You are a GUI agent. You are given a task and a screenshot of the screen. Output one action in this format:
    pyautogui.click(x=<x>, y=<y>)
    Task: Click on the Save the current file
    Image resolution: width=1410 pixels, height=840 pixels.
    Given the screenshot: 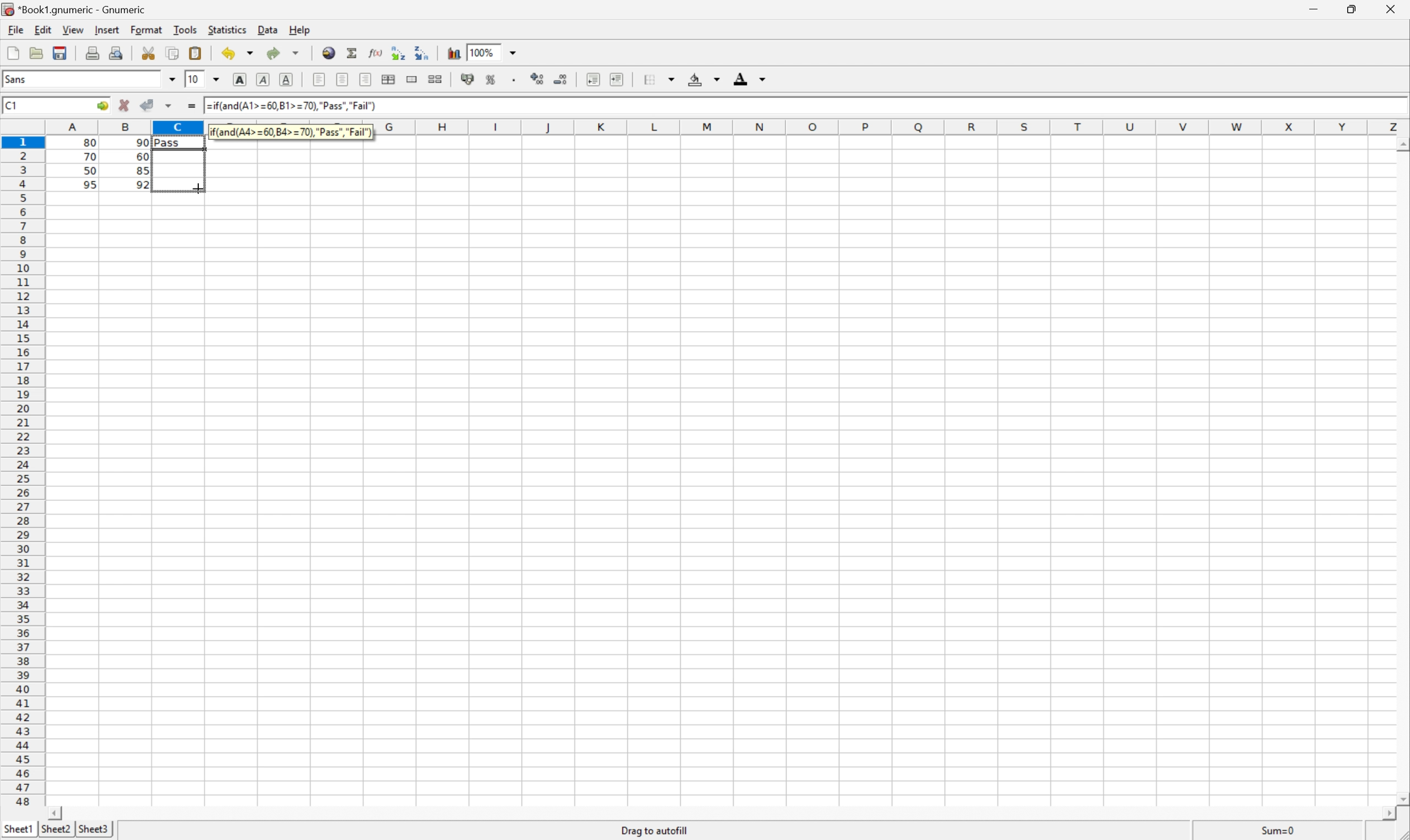 What is the action you would take?
    pyautogui.click(x=59, y=52)
    